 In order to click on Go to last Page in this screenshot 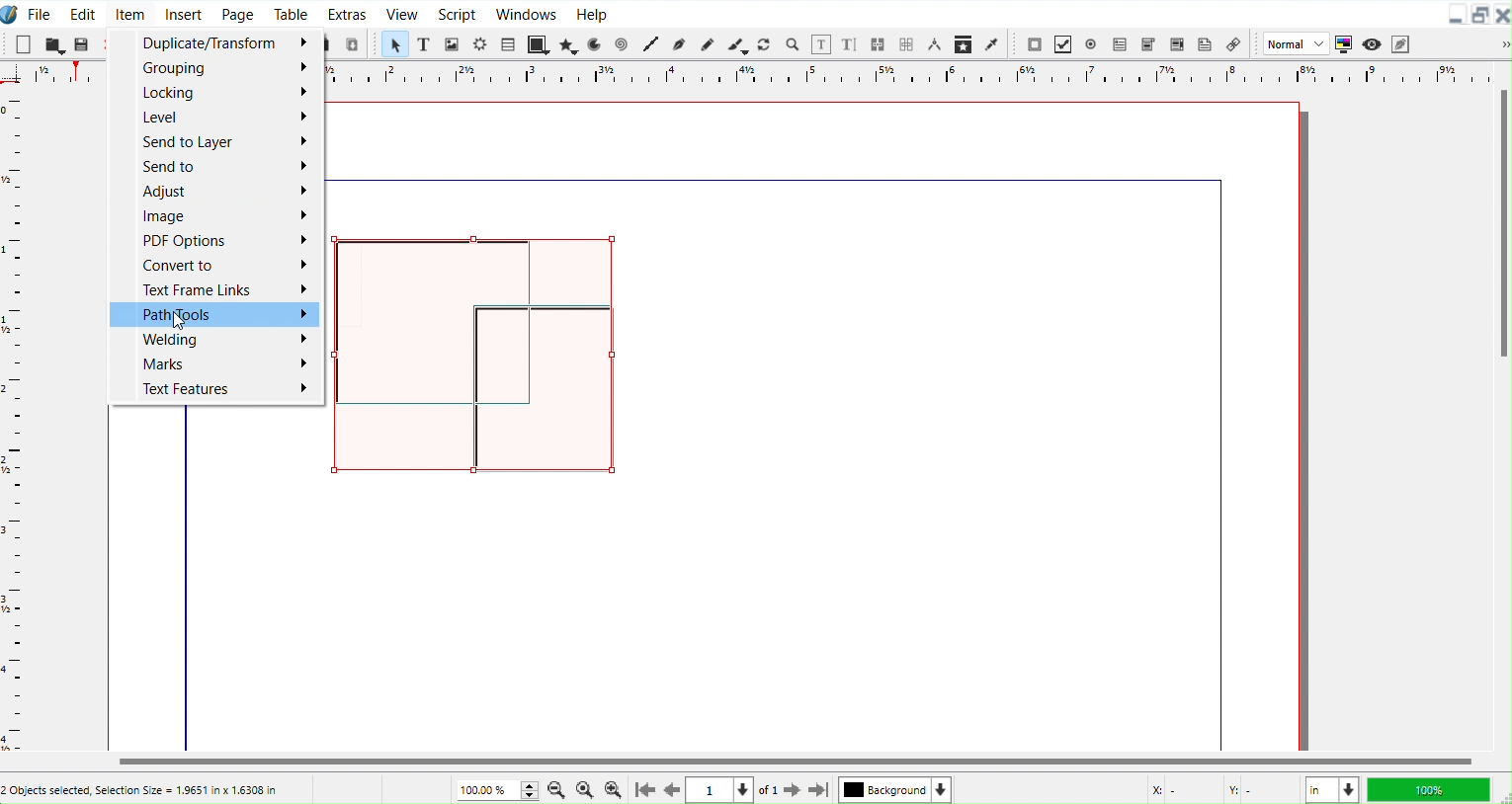, I will do `click(820, 792)`.